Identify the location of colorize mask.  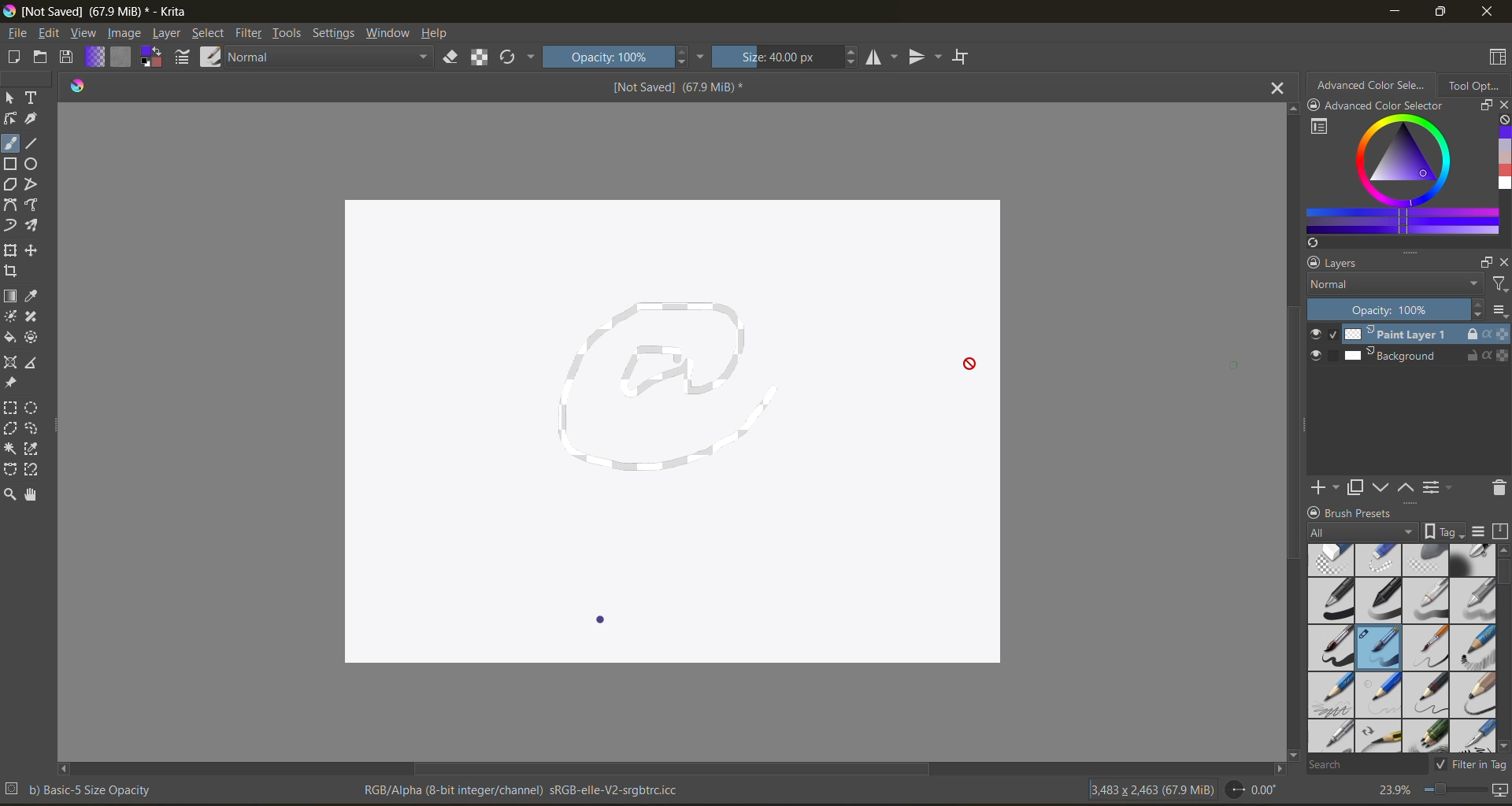
(9, 316).